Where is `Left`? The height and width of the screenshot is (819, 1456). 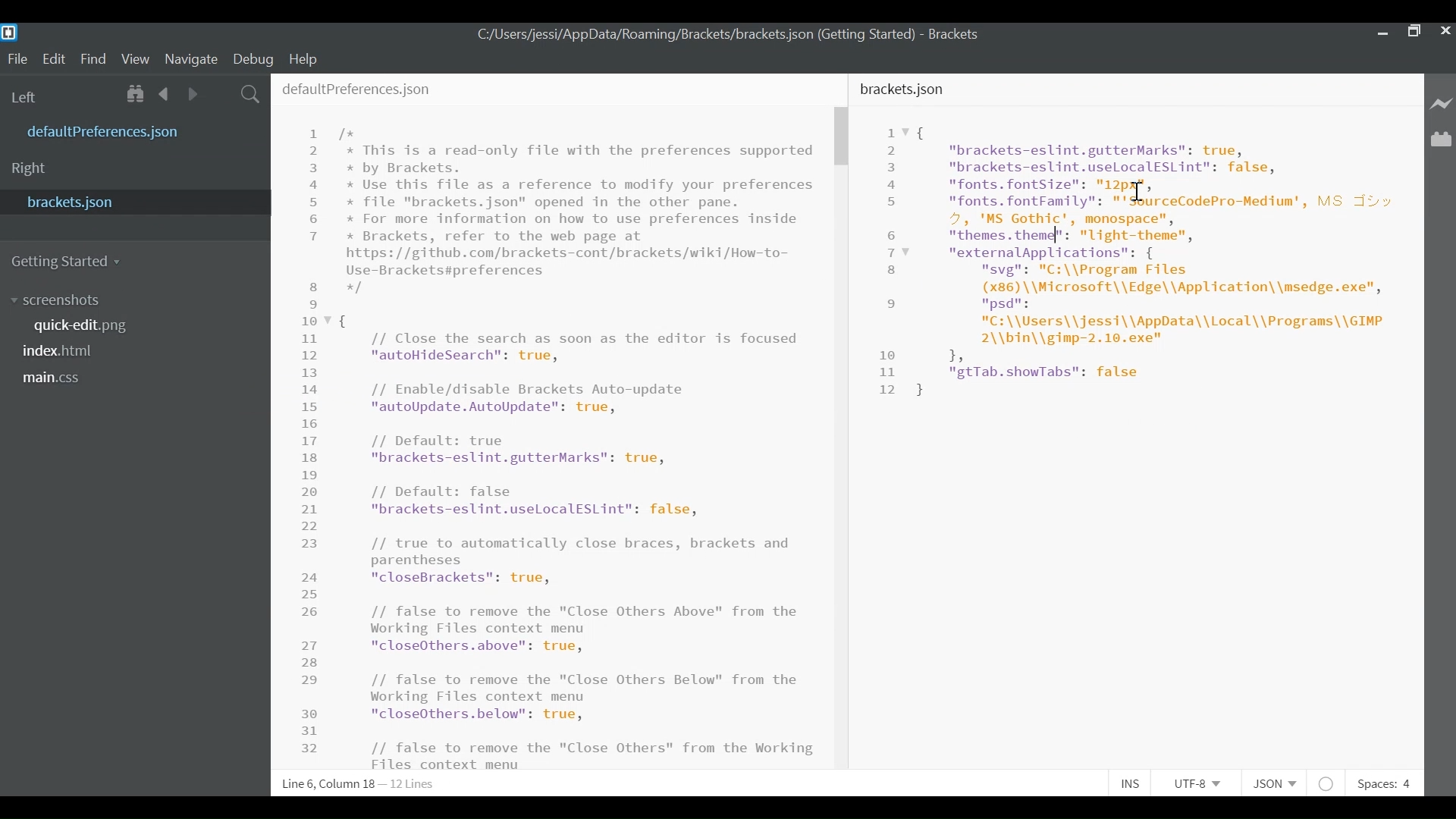 Left is located at coordinates (27, 98).